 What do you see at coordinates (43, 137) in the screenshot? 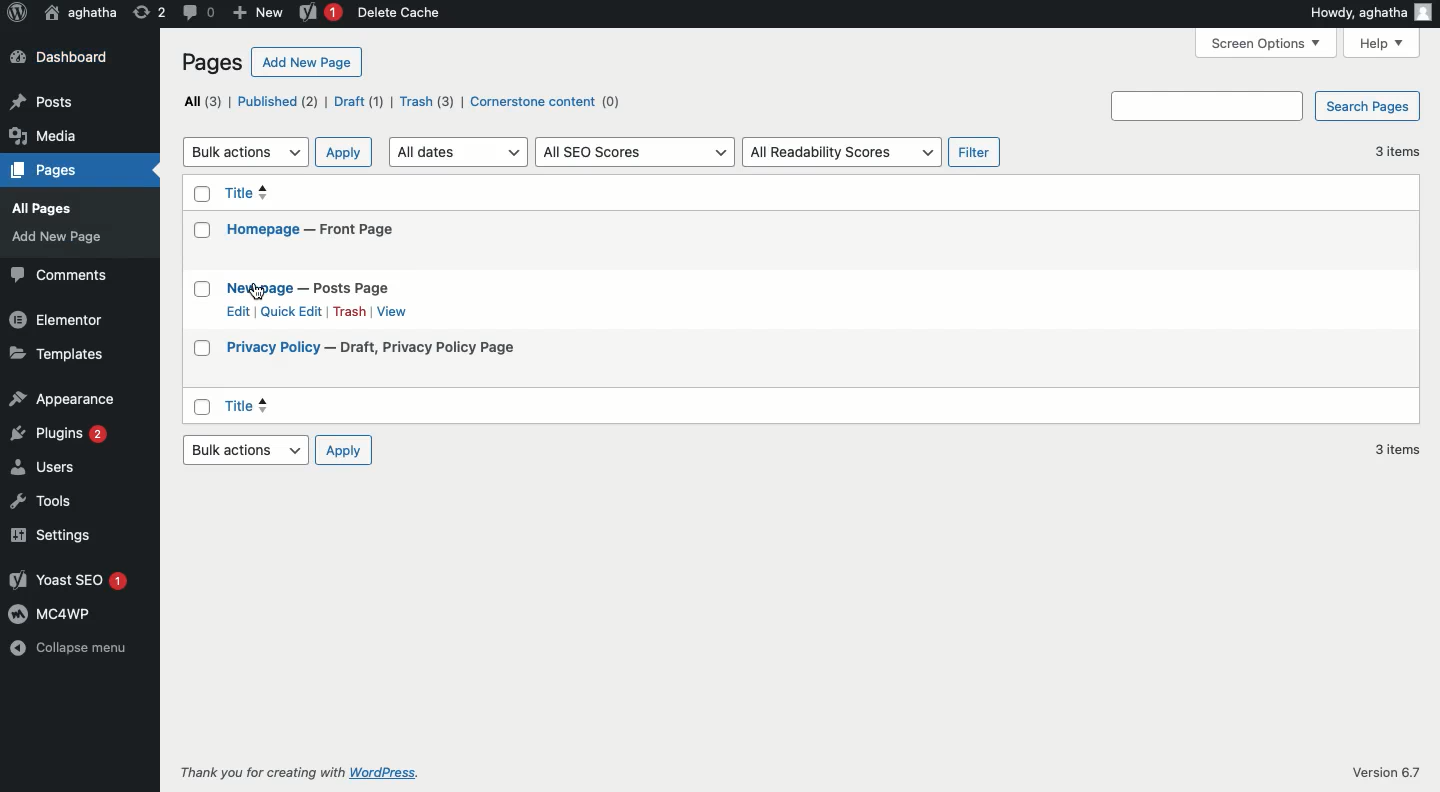
I see `Media` at bounding box center [43, 137].